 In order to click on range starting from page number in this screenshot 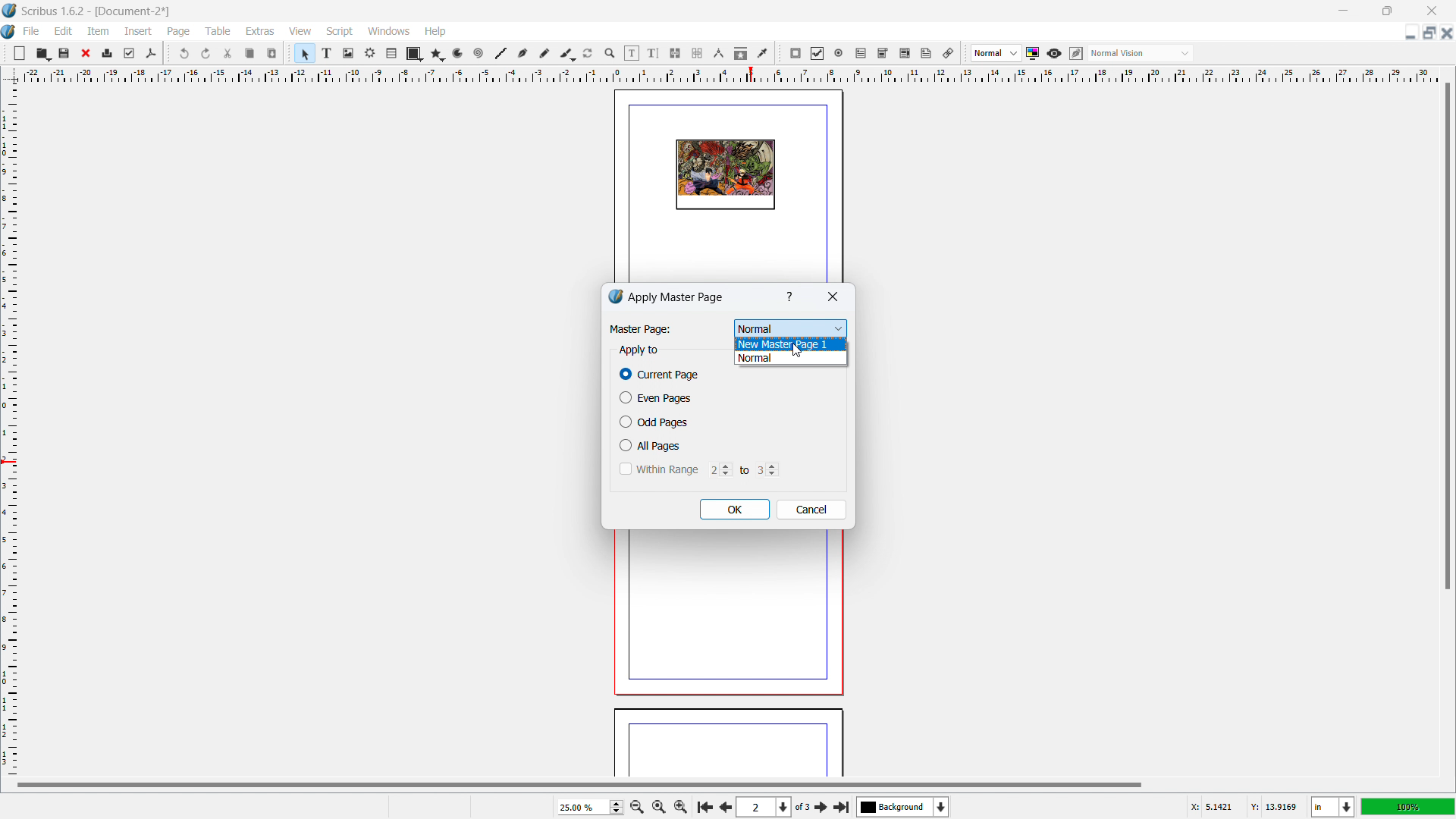, I will do `click(718, 469)`.